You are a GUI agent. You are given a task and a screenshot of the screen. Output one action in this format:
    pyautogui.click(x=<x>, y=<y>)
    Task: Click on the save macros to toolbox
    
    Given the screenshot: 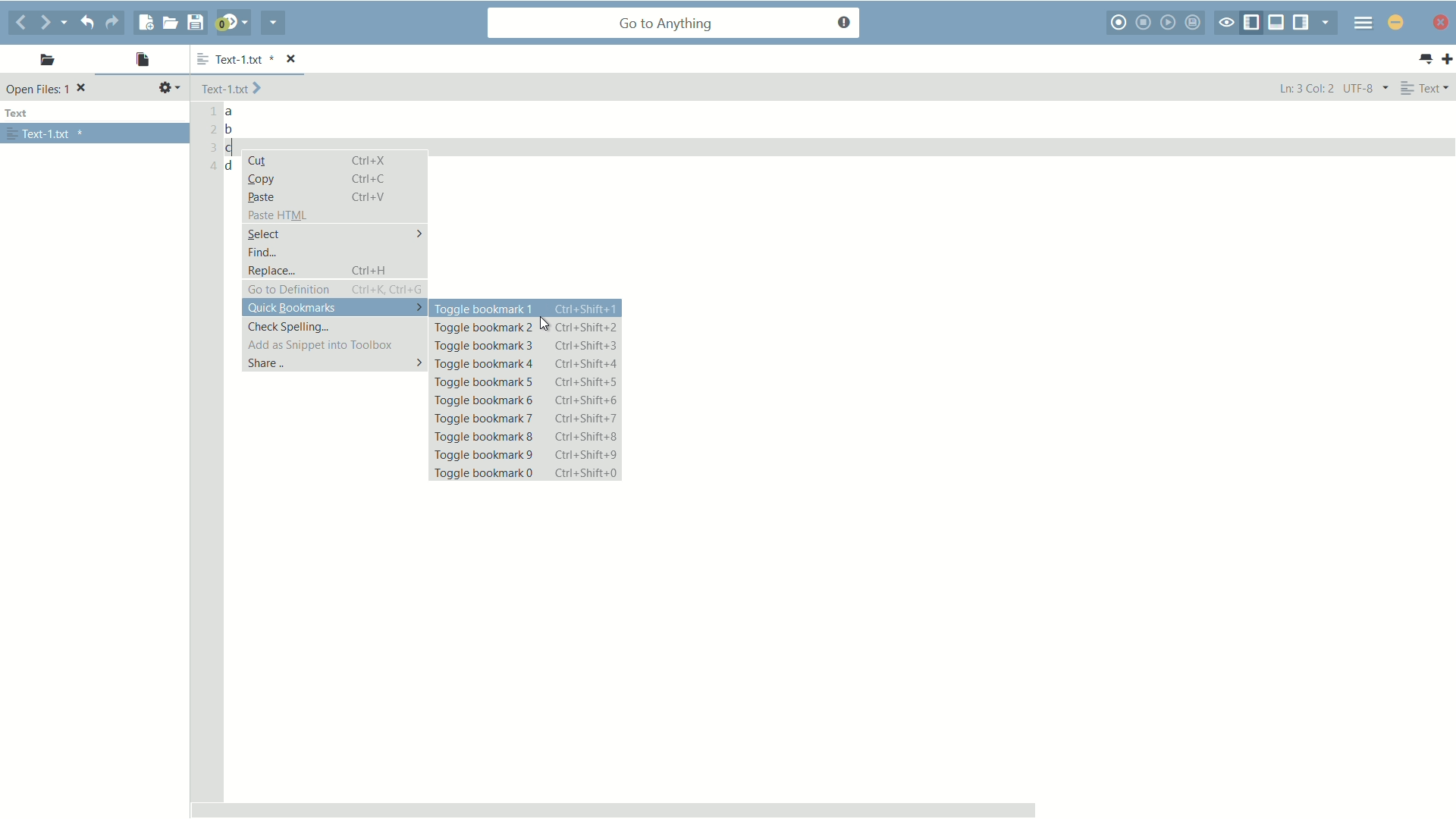 What is the action you would take?
    pyautogui.click(x=1194, y=22)
    